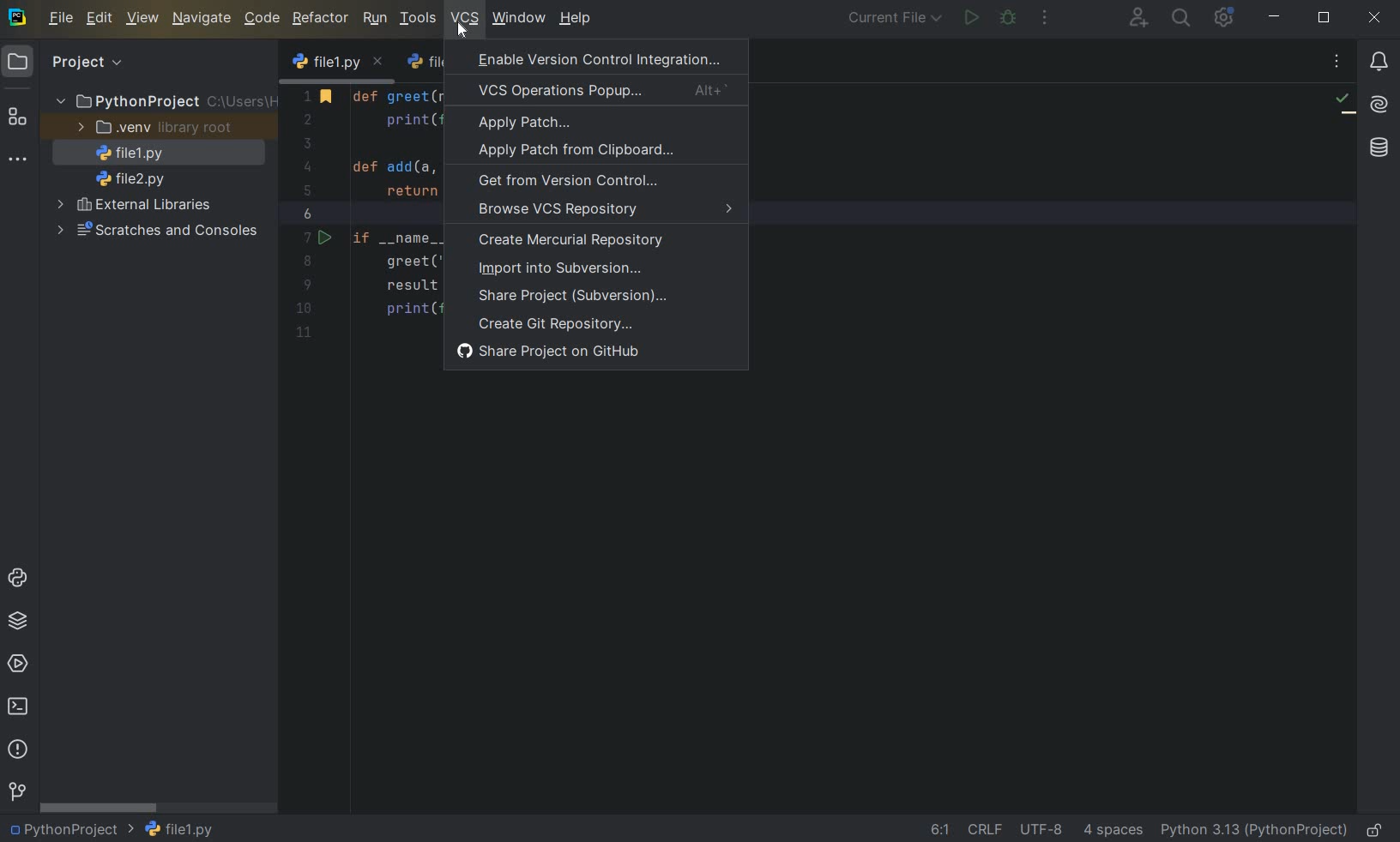 This screenshot has width=1400, height=842. Describe the element at coordinates (1137, 20) in the screenshot. I see `code with me` at that location.